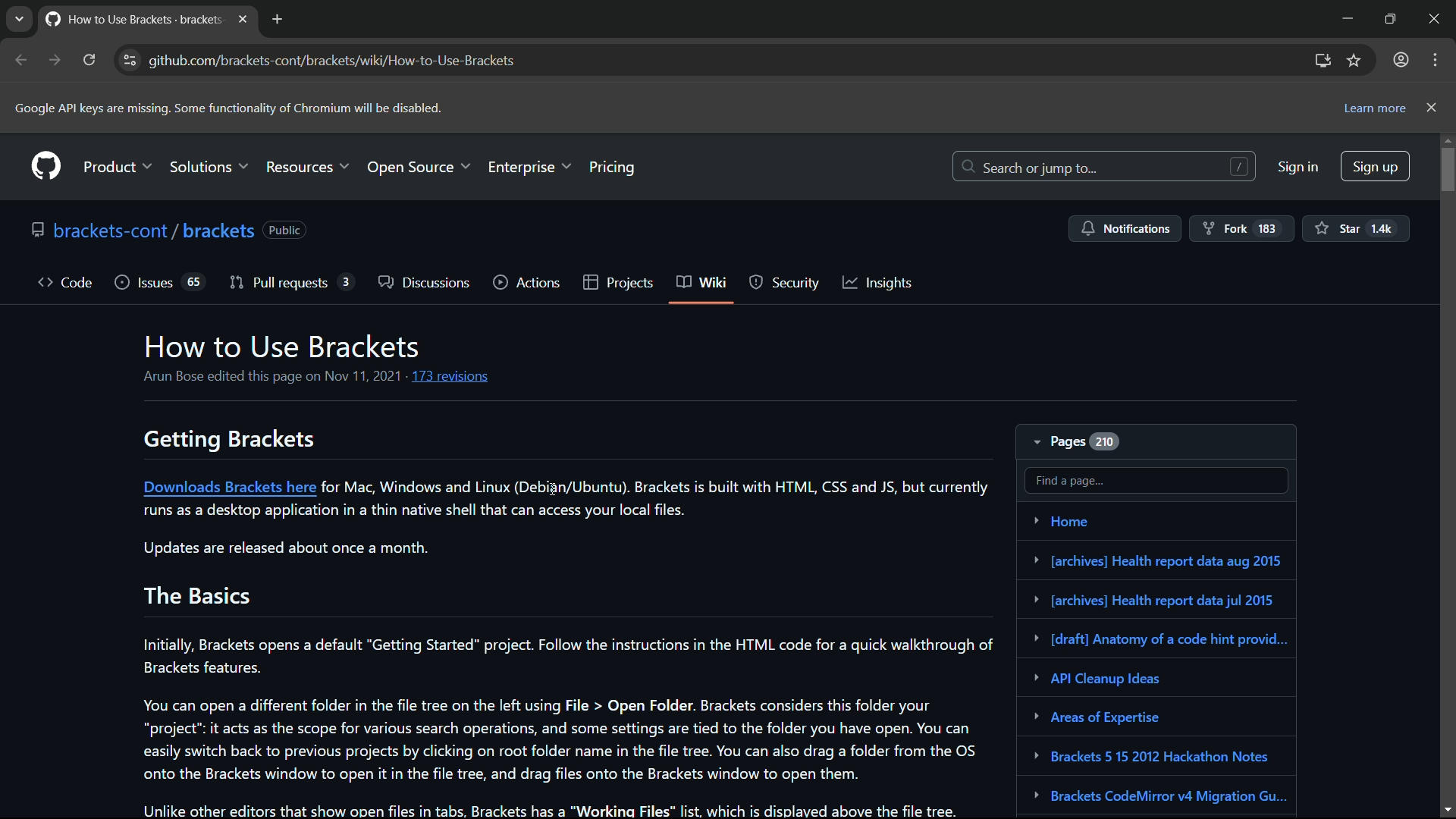 This screenshot has width=1456, height=819. Describe the element at coordinates (424, 283) in the screenshot. I see `discussions` at that location.